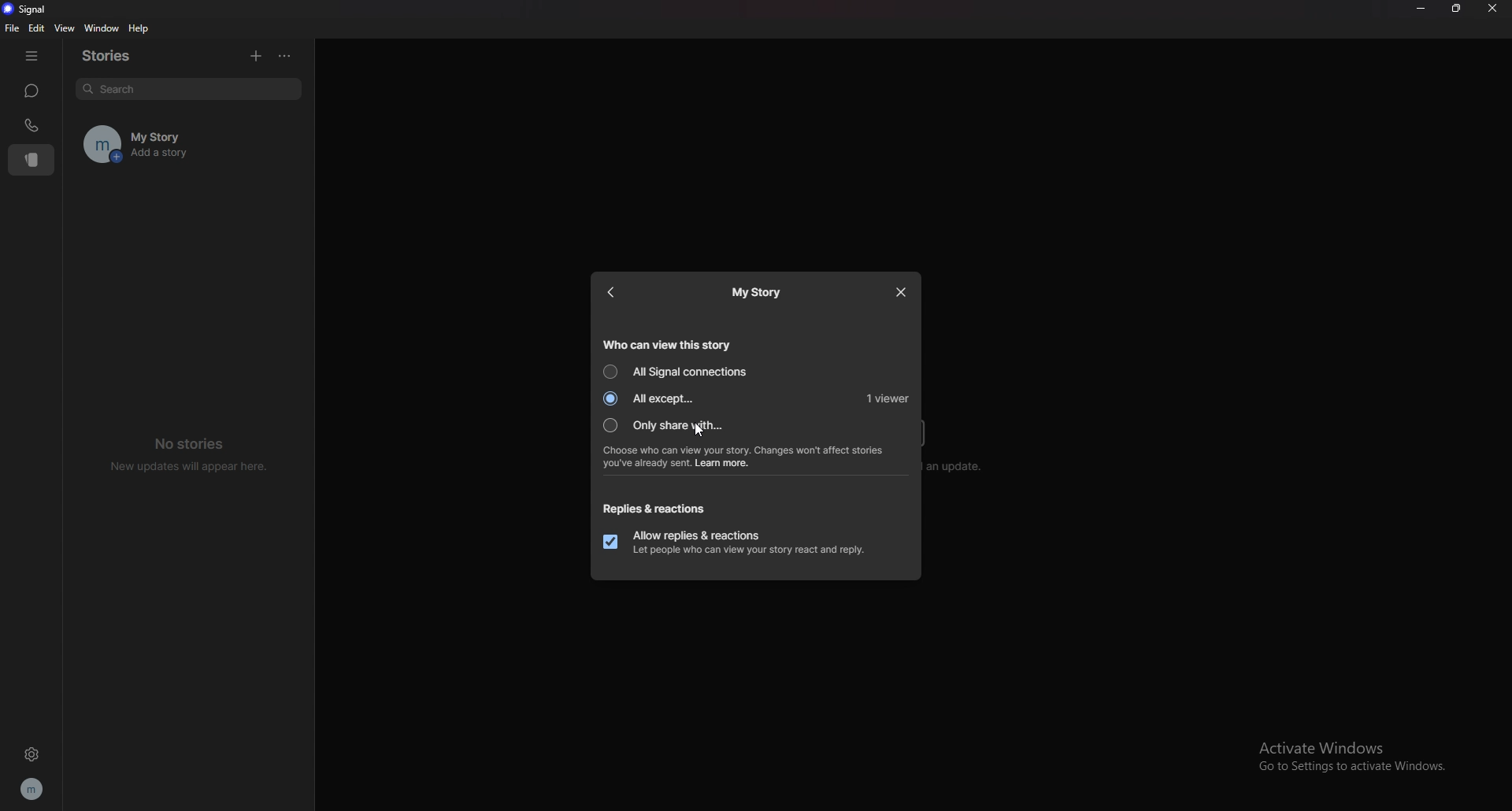  What do you see at coordinates (31, 755) in the screenshot?
I see `settings` at bounding box center [31, 755].